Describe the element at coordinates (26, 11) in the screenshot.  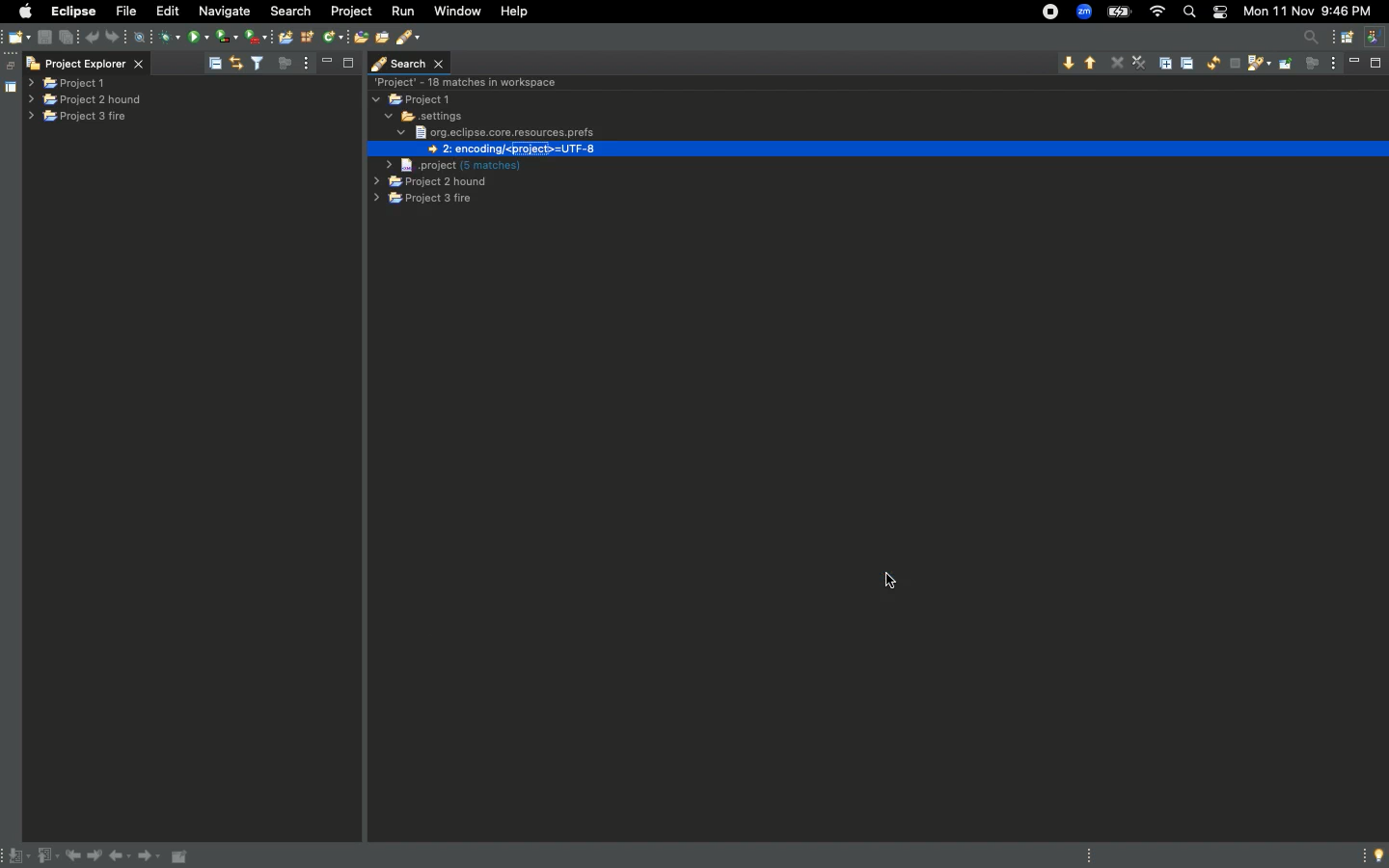
I see `Apple logo` at that location.